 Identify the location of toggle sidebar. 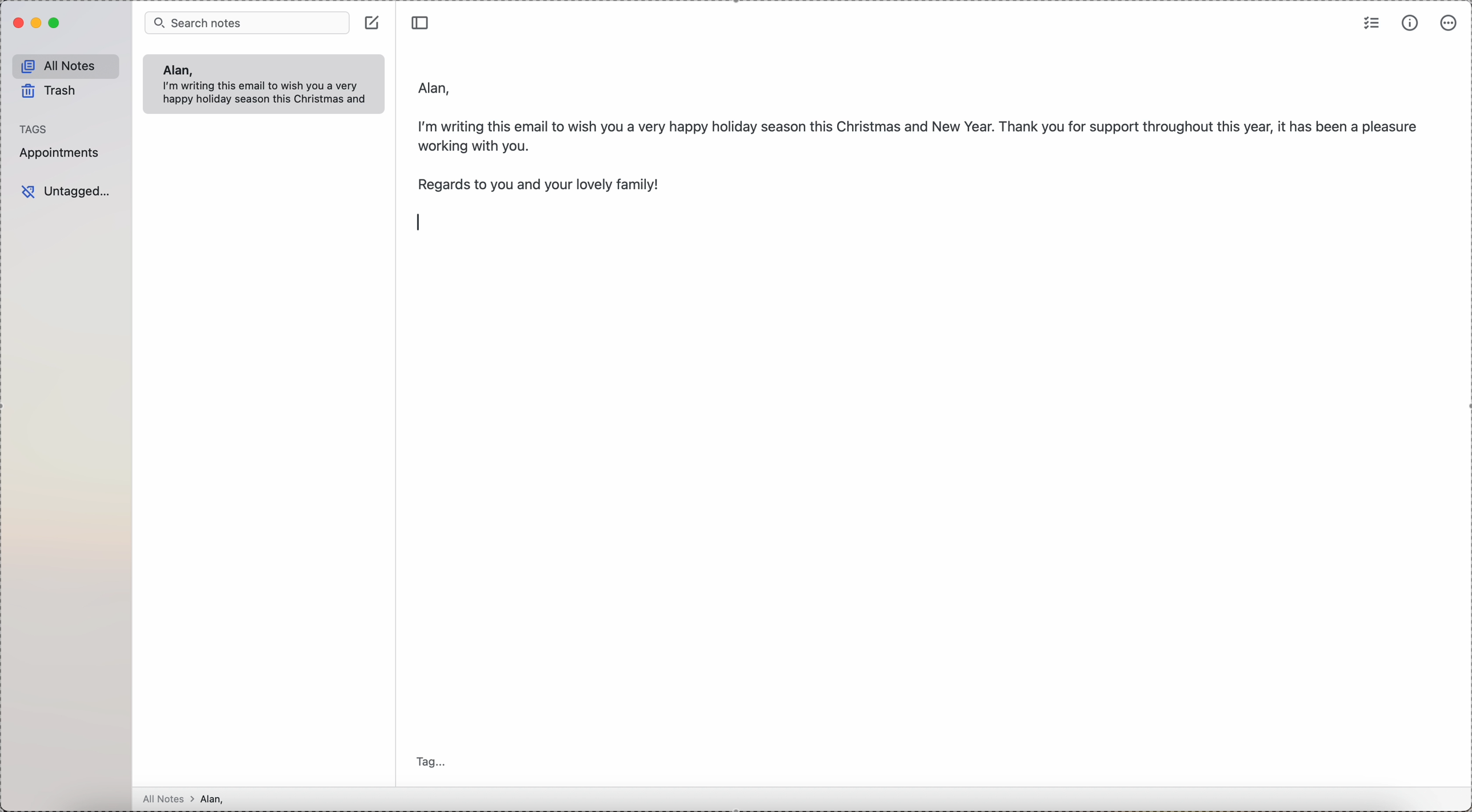
(422, 21).